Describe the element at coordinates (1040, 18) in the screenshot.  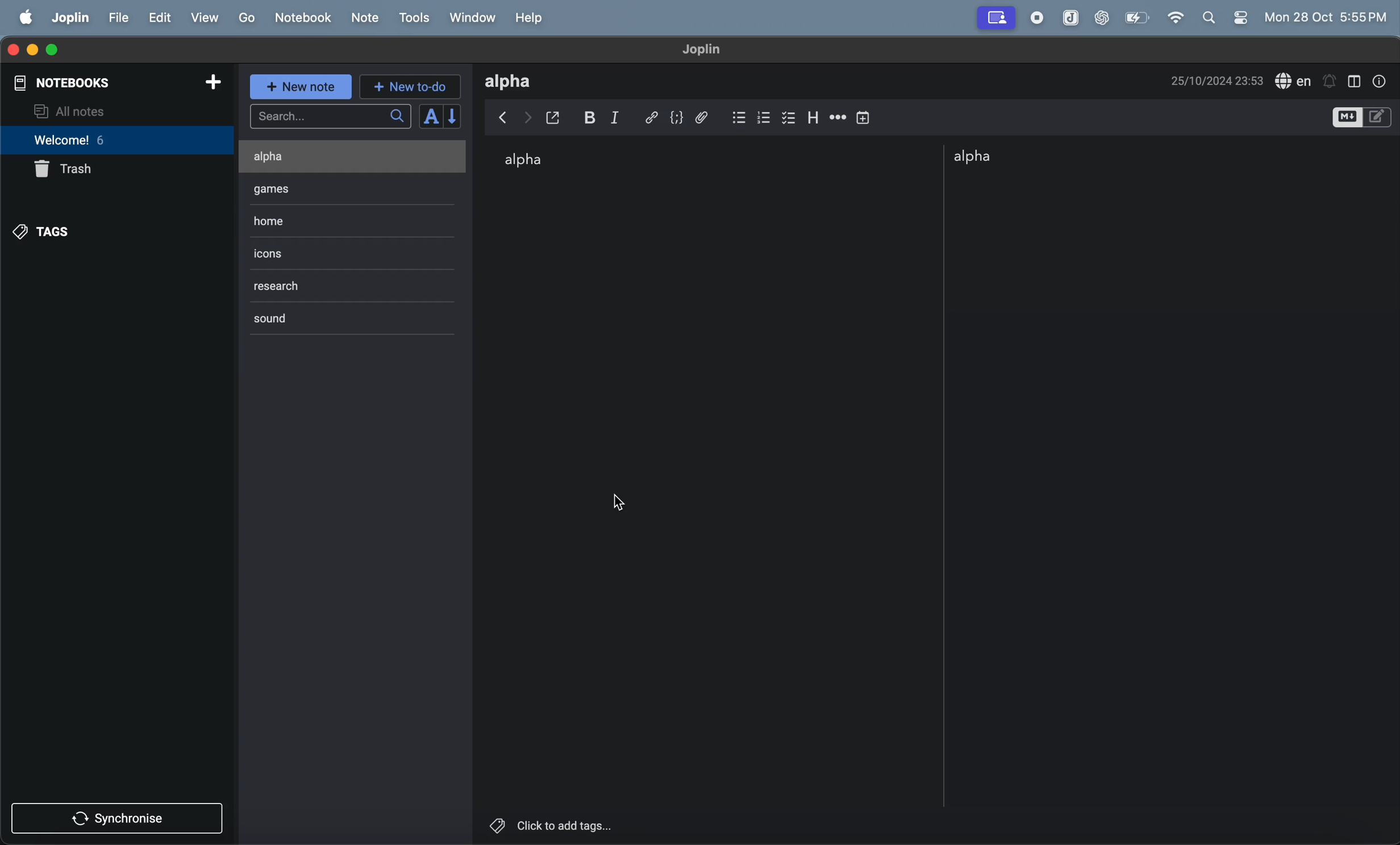
I see `record` at that location.